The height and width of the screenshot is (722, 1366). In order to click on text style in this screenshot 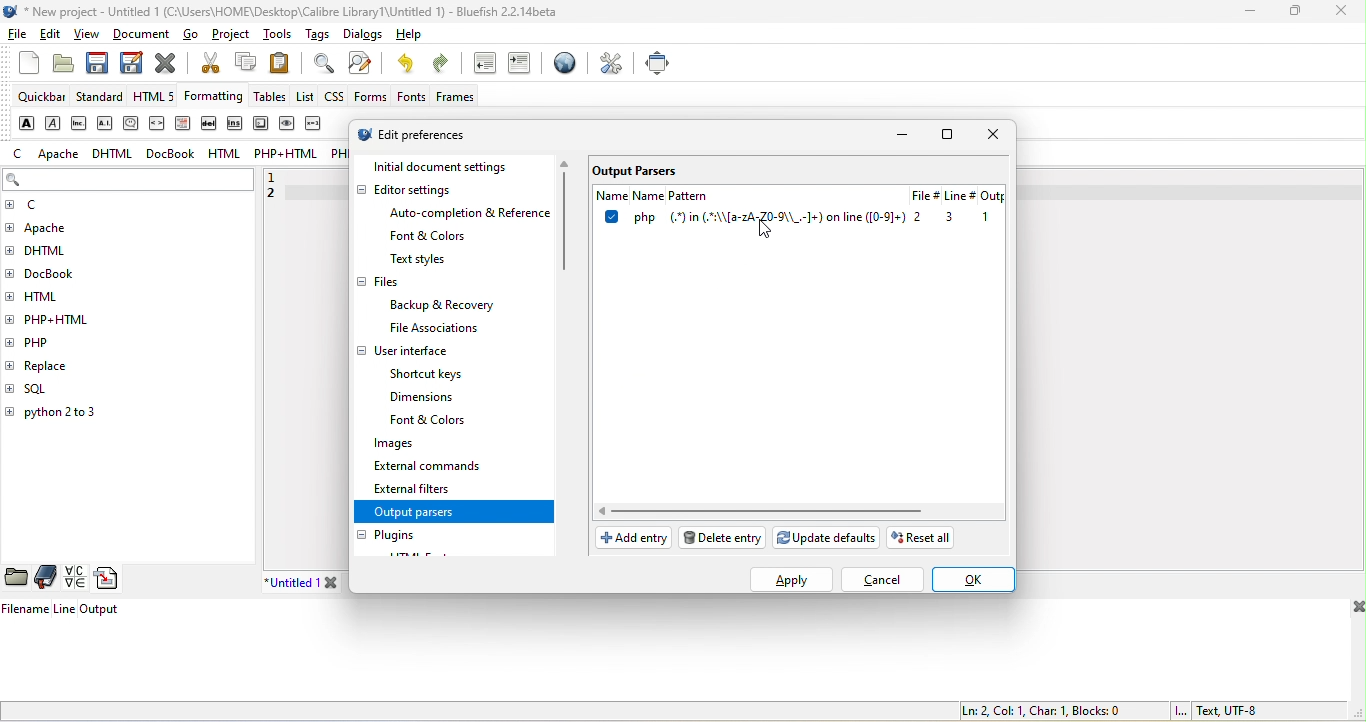, I will do `click(419, 260)`.